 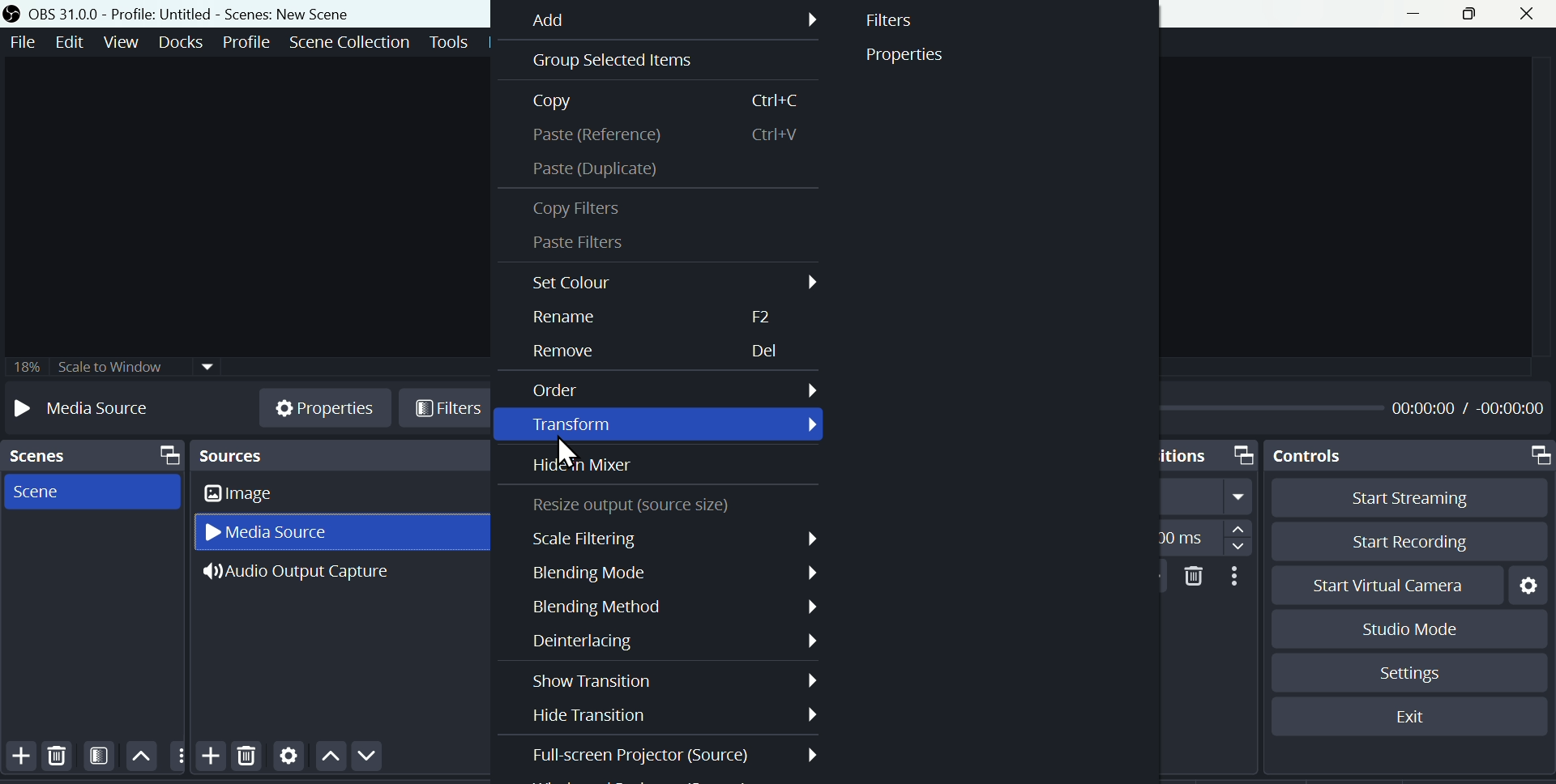 I want to click on Tools, so click(x=448, y=41).